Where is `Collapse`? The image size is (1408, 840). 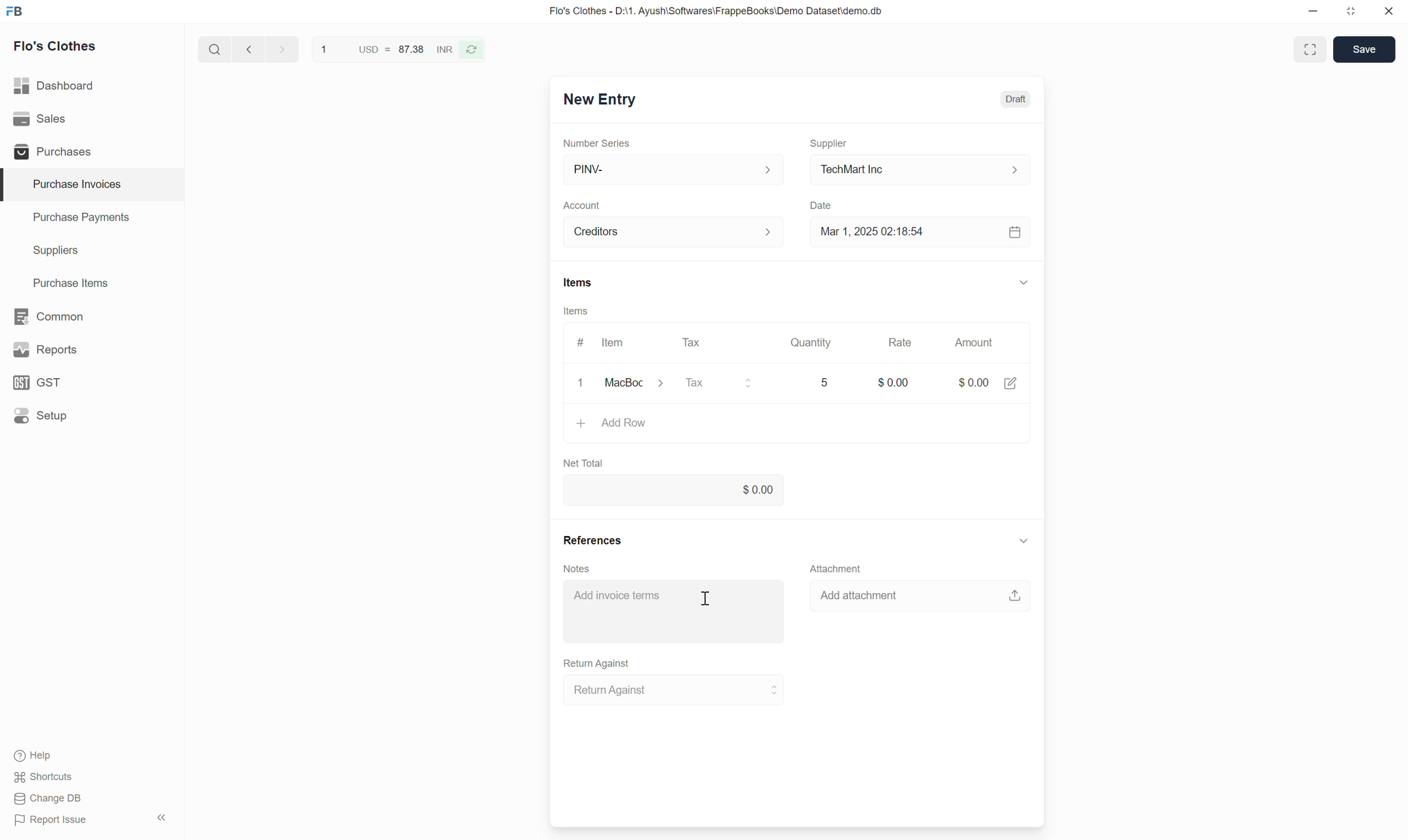
Collapse is located at coordinates (1024, 541).